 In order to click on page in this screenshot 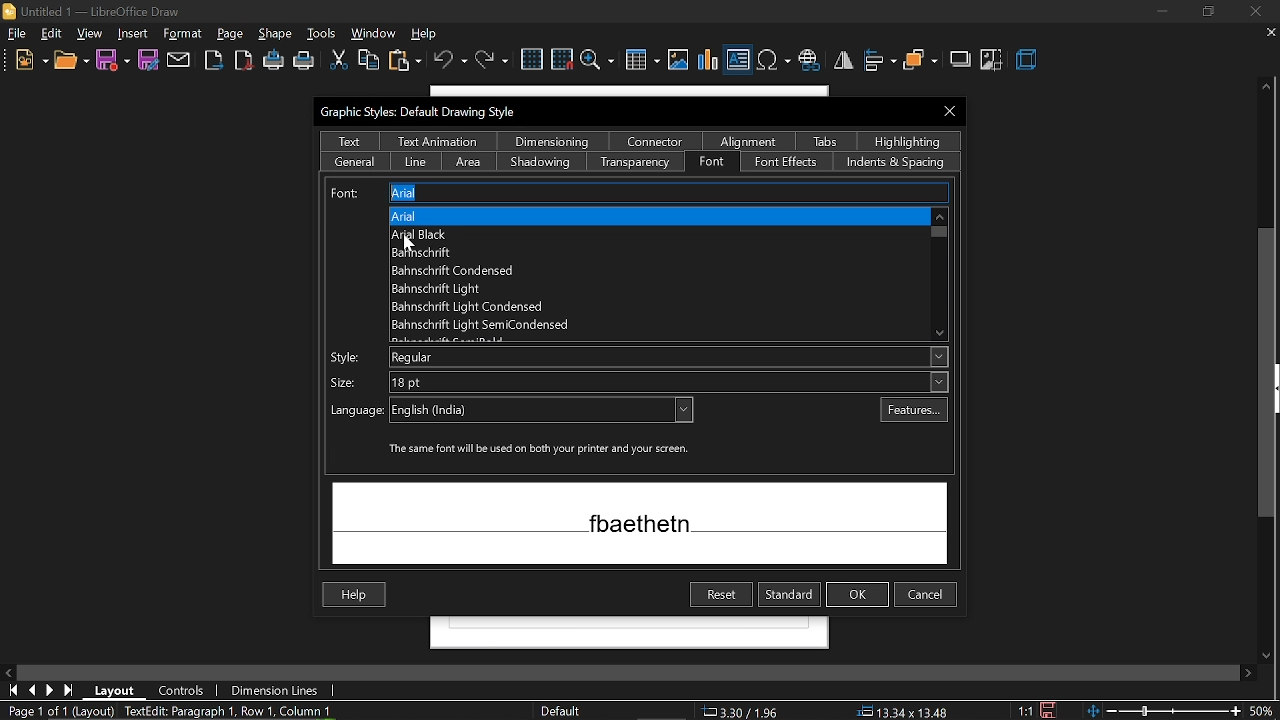, I will do `click(276, 33)`.